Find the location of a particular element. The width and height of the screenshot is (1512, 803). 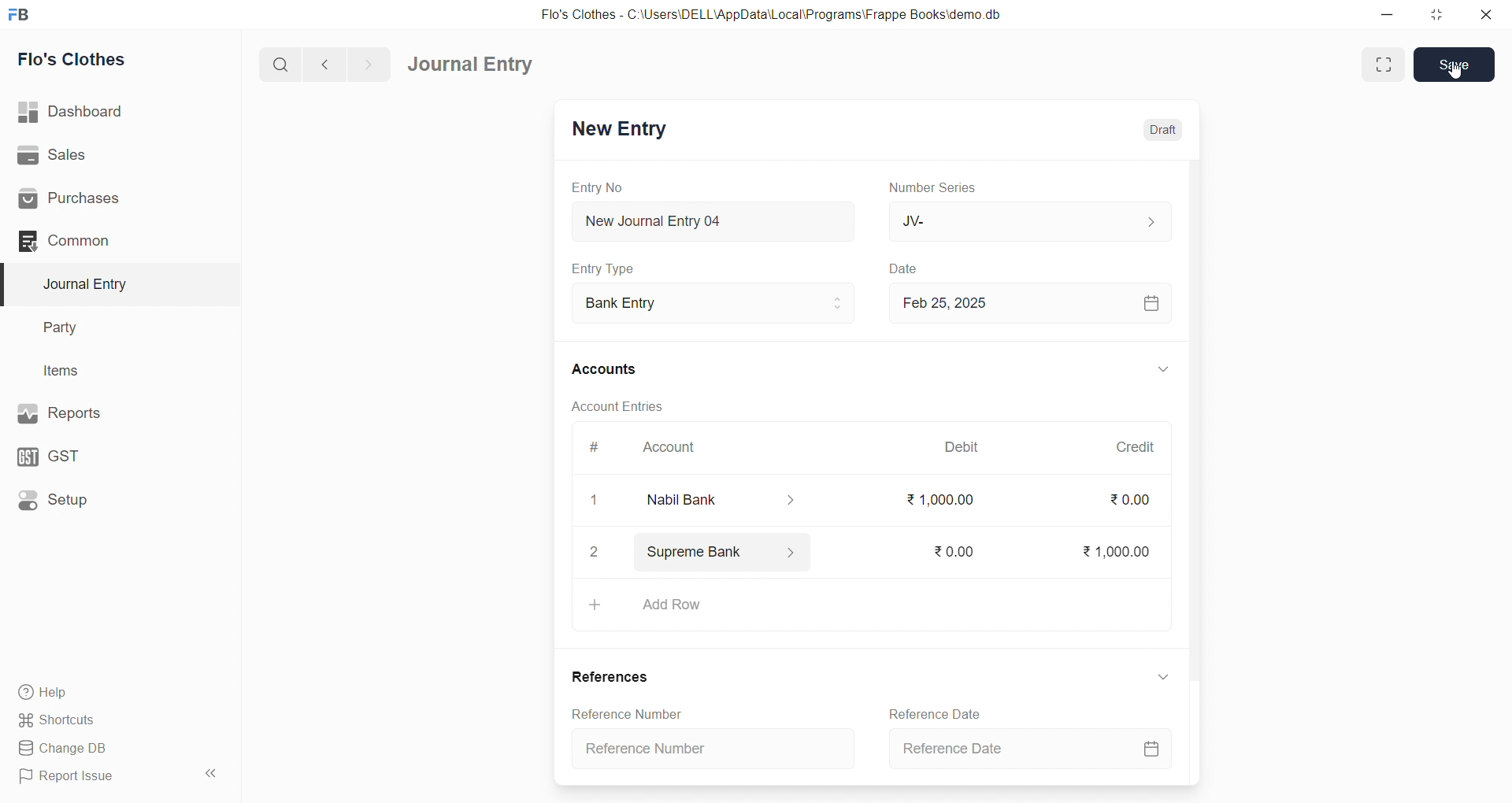

close is located at coordinates (1480, 14).